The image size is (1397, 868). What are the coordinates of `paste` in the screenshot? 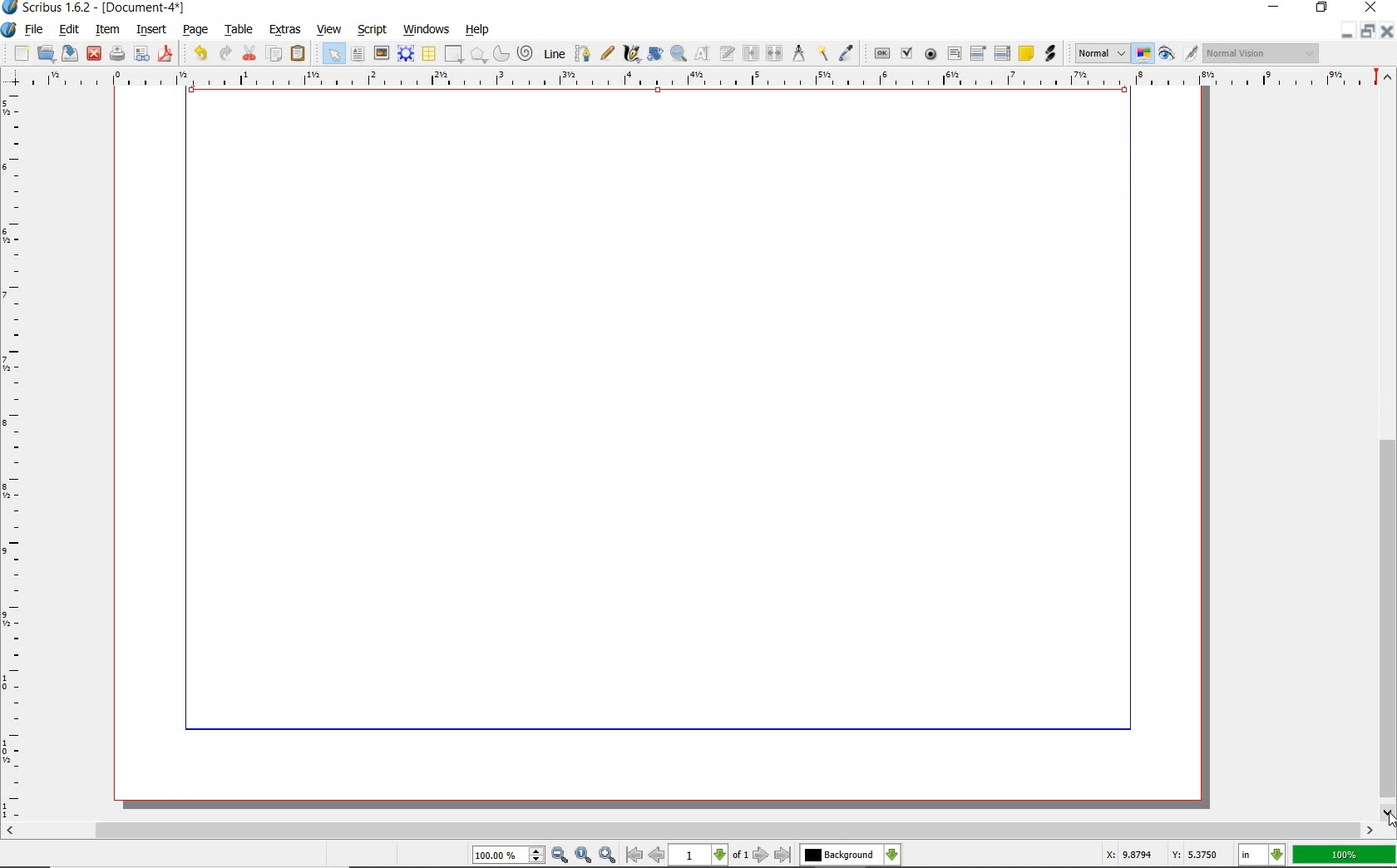 It's located at (298, 54).